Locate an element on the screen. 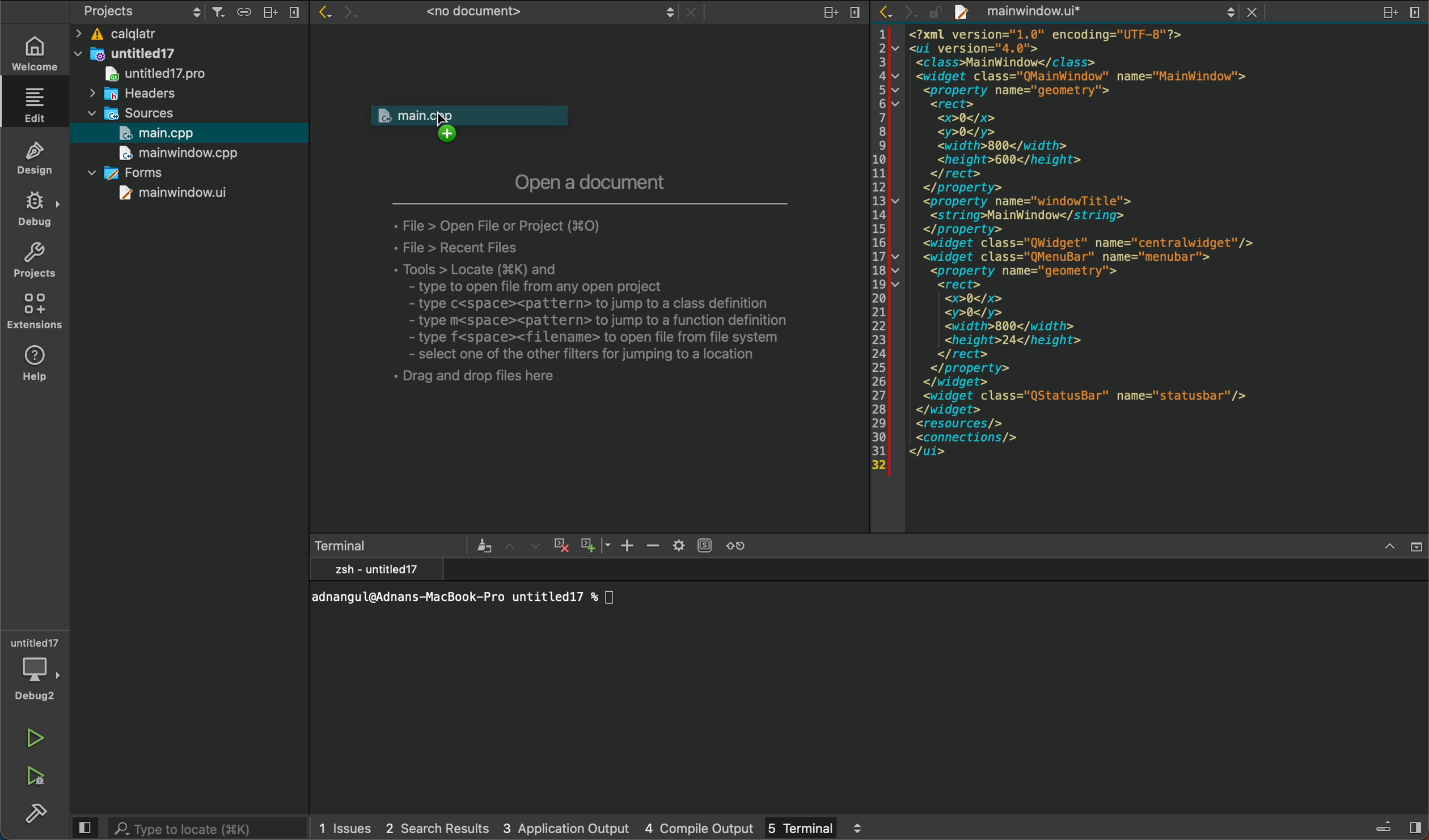 The image size is (1429, 840). go forward is located at coordinates (352, 14).